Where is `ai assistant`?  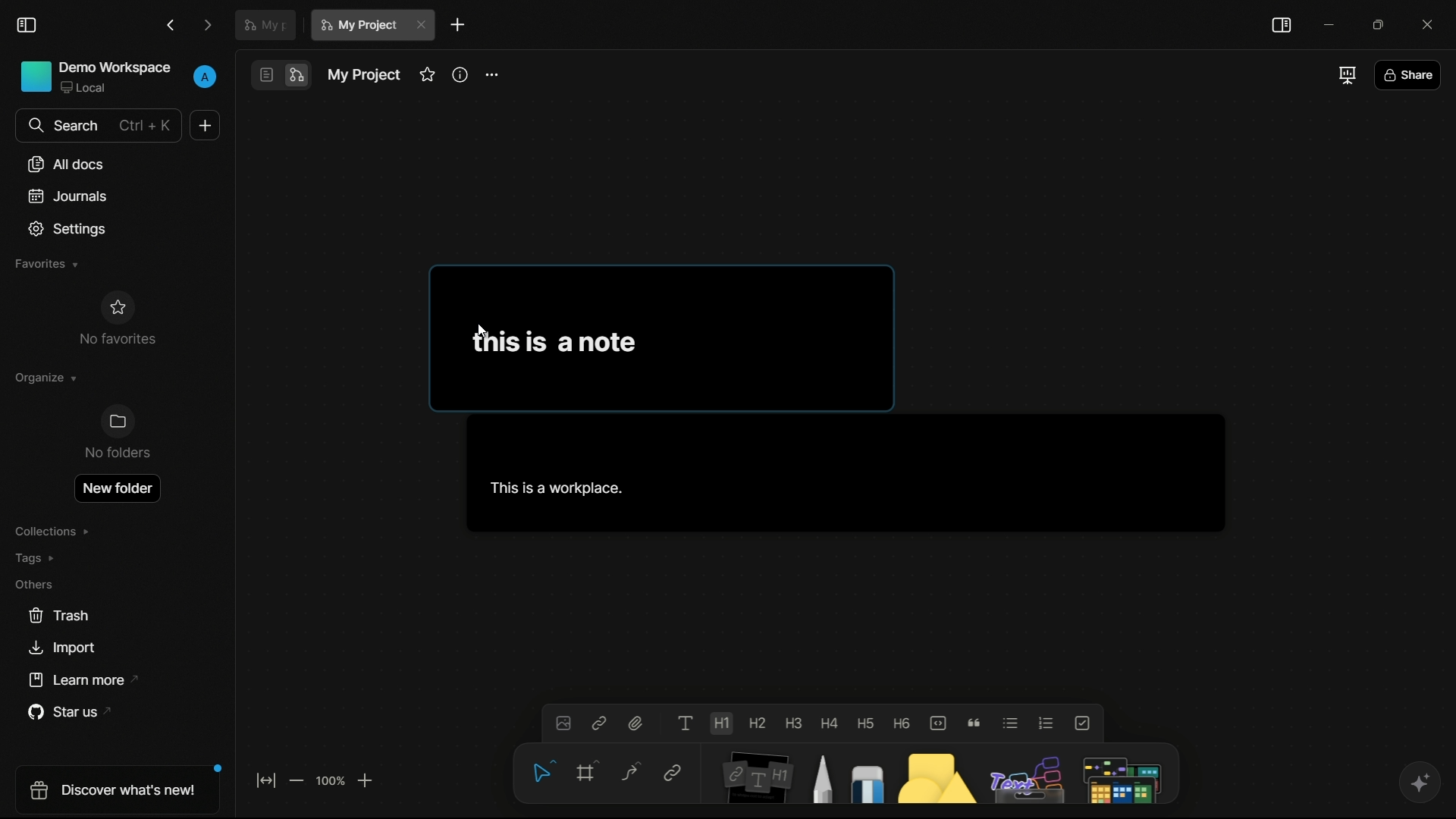 ai assistant is located at coordinates (1417, 783).